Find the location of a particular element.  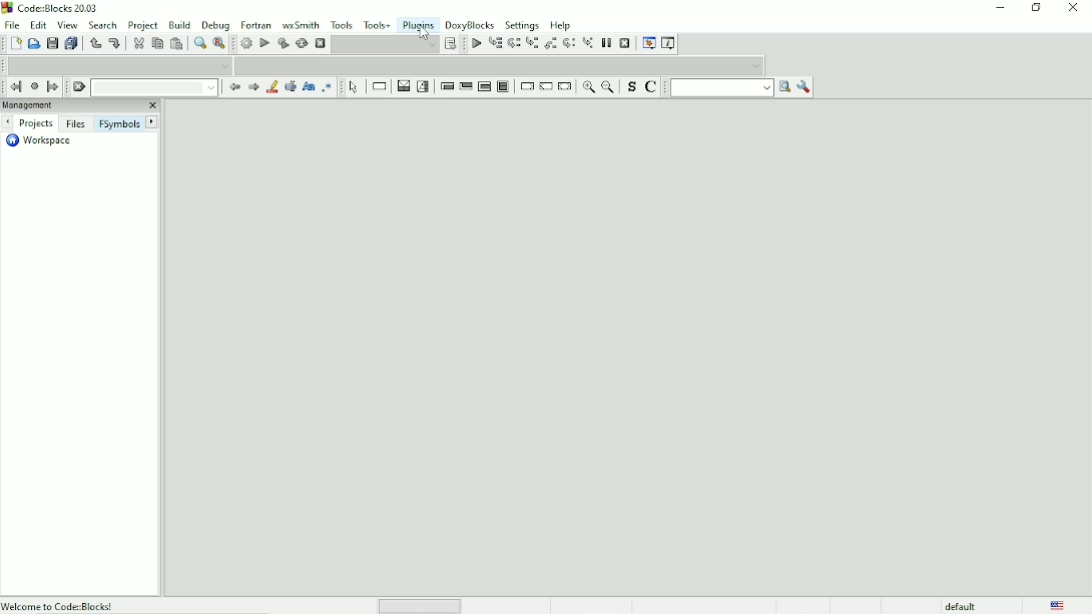

Show options window is located at coordinates (804, 87).